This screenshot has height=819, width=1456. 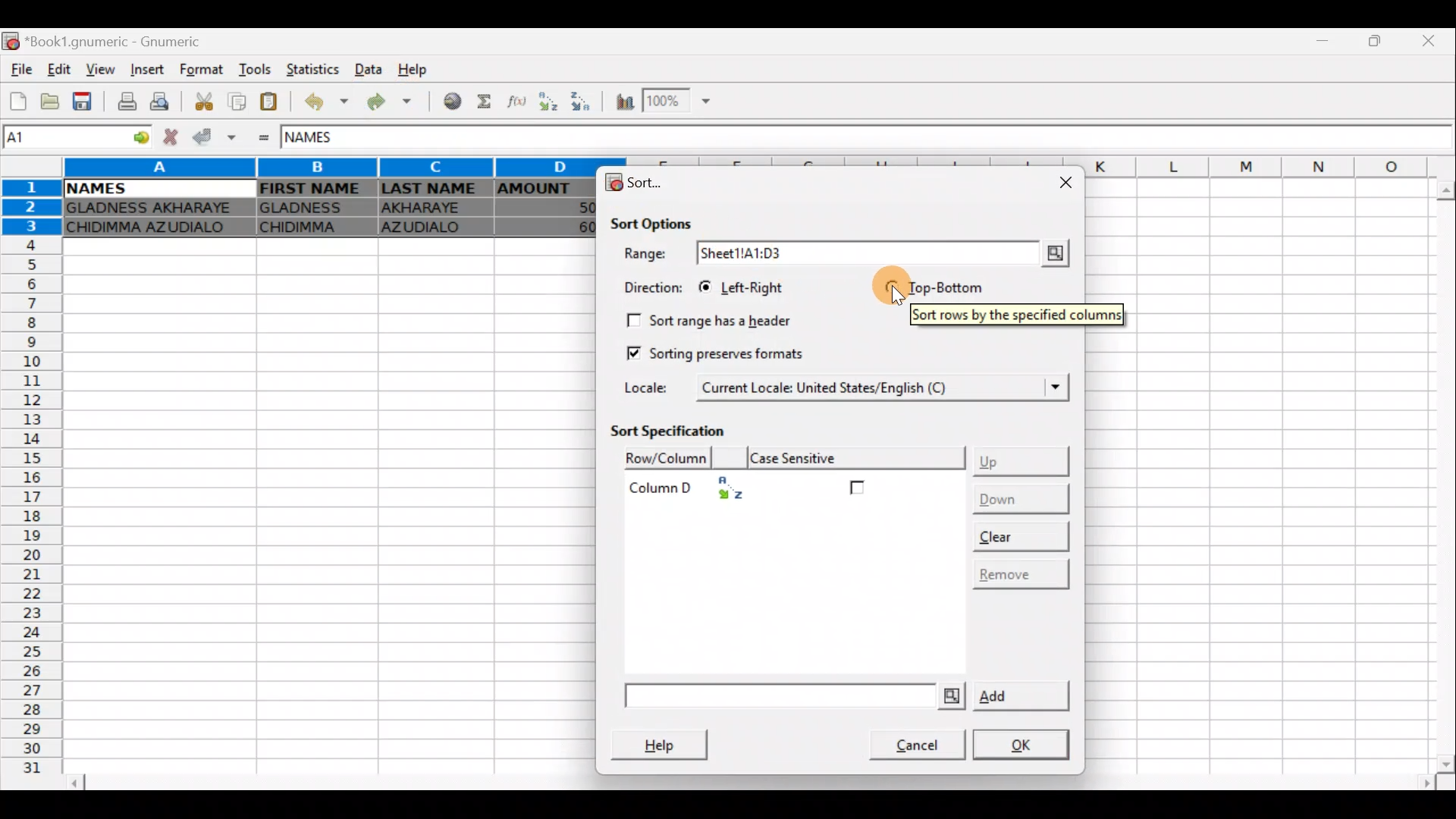 I want to click on Up, so click(x=1020, y=457).